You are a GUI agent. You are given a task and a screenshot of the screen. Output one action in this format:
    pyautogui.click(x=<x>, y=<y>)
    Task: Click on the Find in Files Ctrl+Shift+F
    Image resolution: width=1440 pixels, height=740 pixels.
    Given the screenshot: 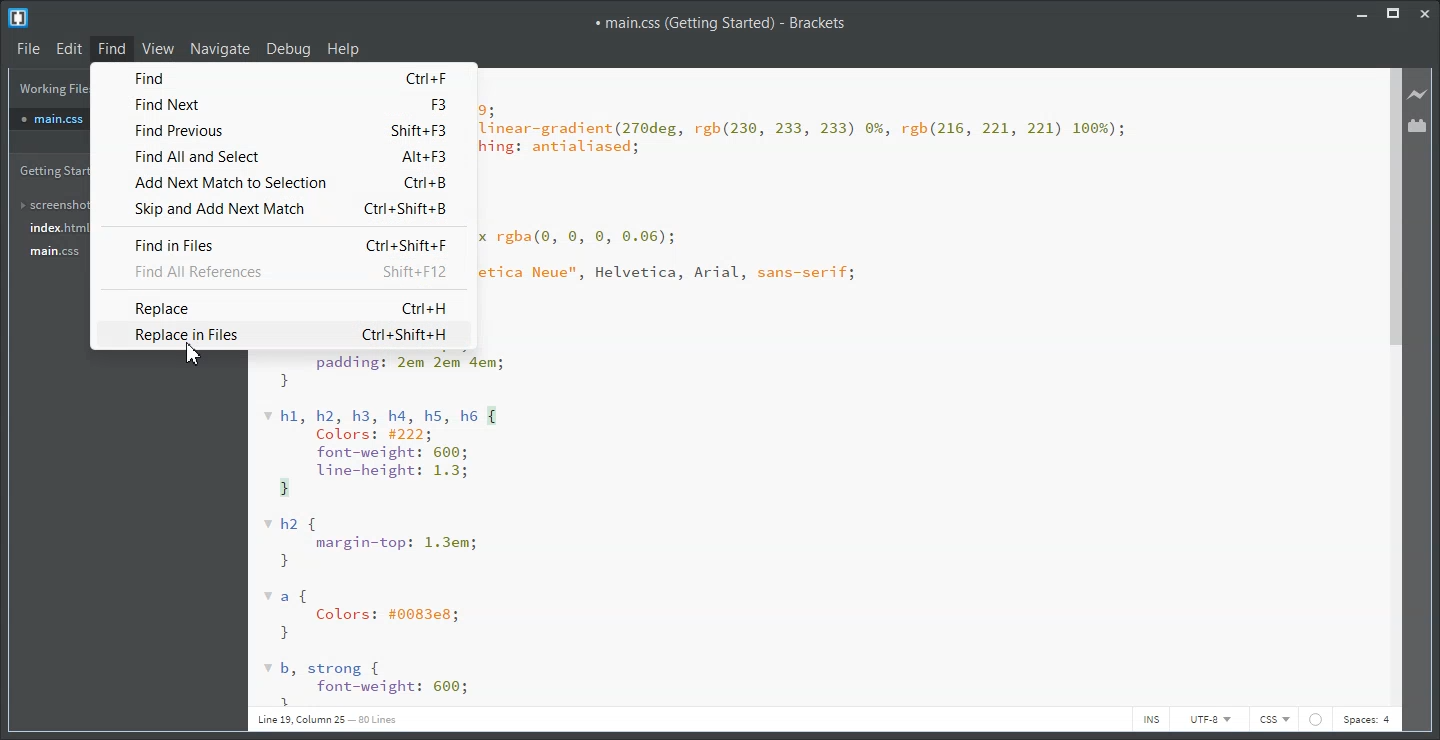 What is the action you would take?
    pyautogui.click(x=293, y=246)
    